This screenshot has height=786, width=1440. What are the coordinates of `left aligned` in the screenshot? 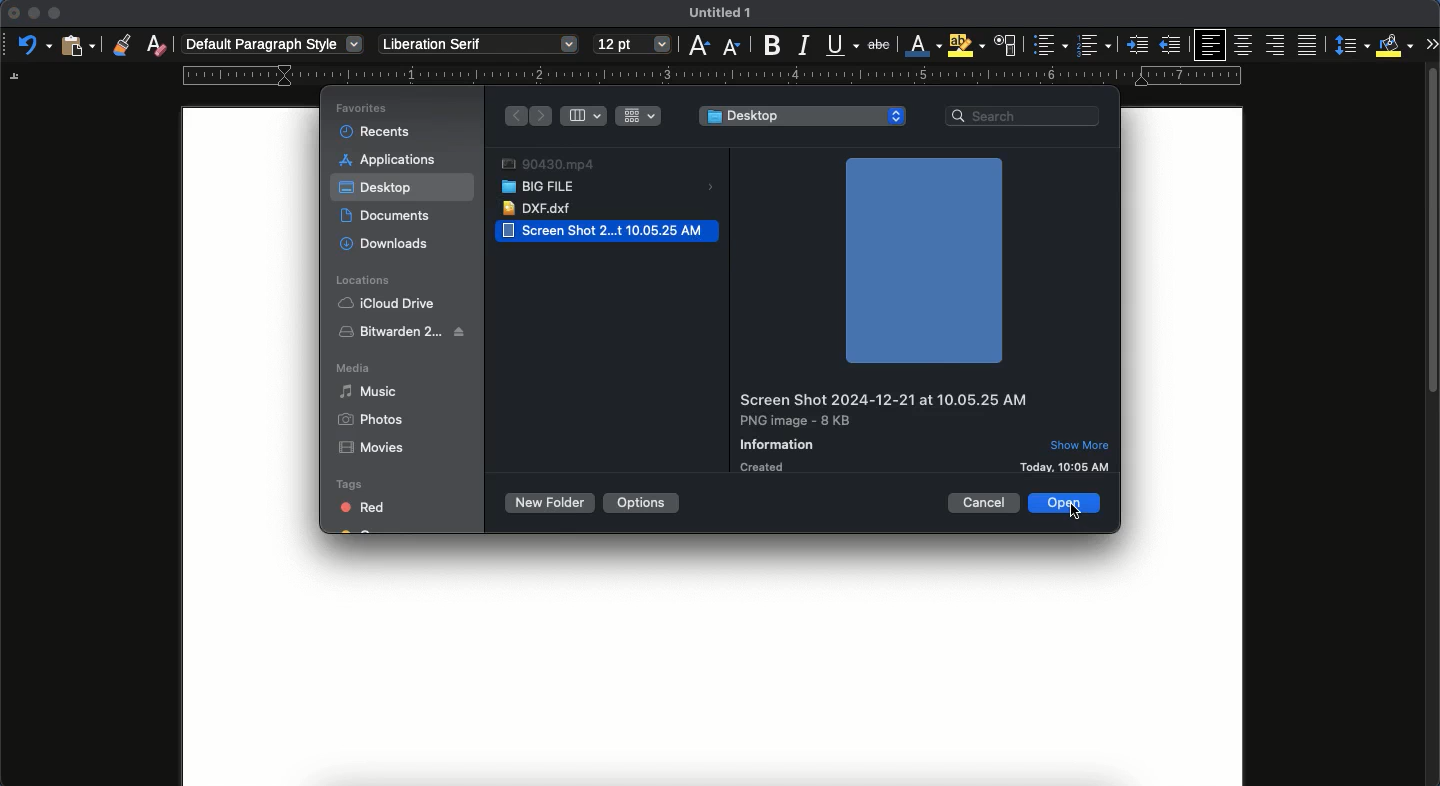 It's located at (1208, 45).